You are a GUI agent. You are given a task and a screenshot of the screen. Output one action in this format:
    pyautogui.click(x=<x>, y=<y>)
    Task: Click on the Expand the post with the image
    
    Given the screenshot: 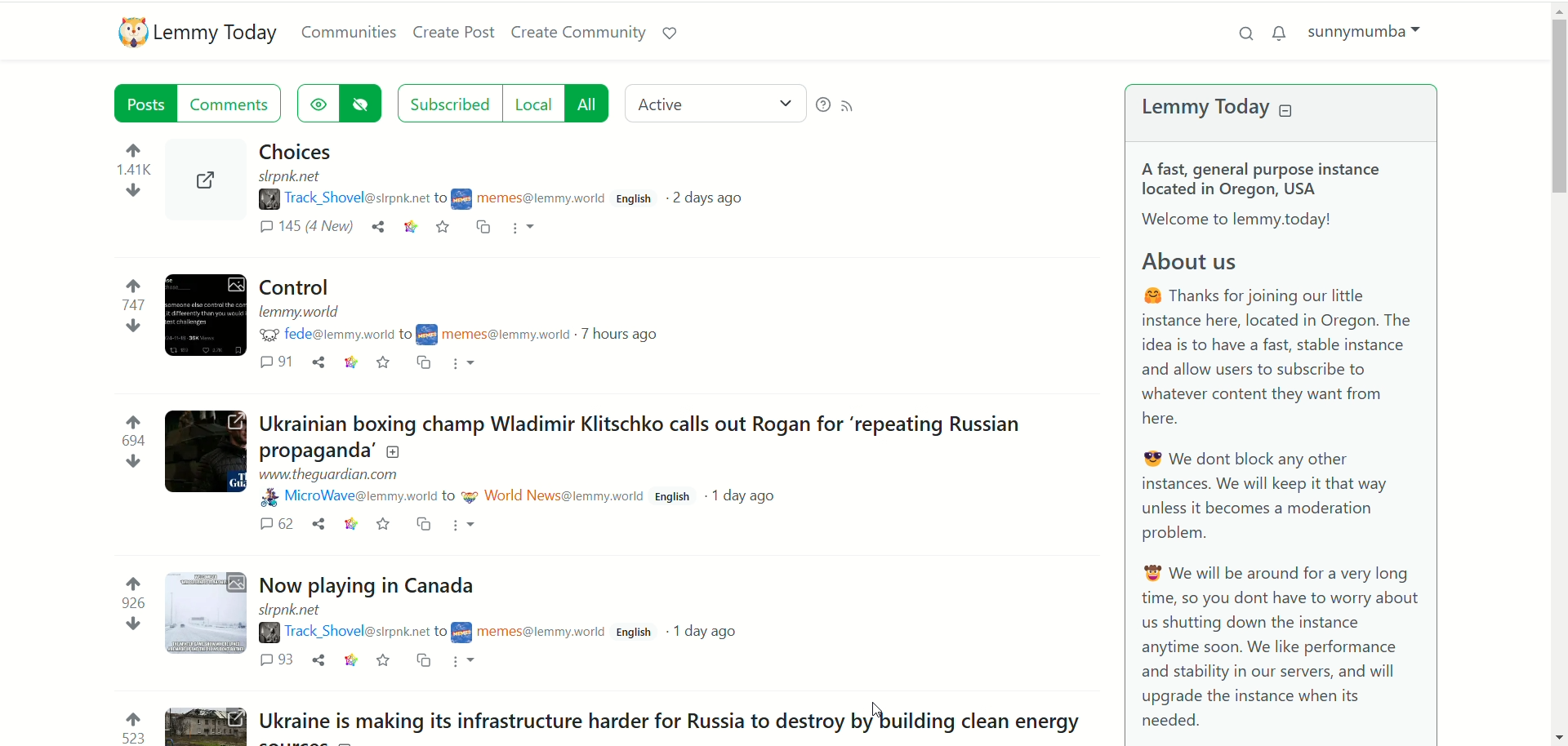 What is the action you would take?
    pyautogui.click(x=207, y=315)
    